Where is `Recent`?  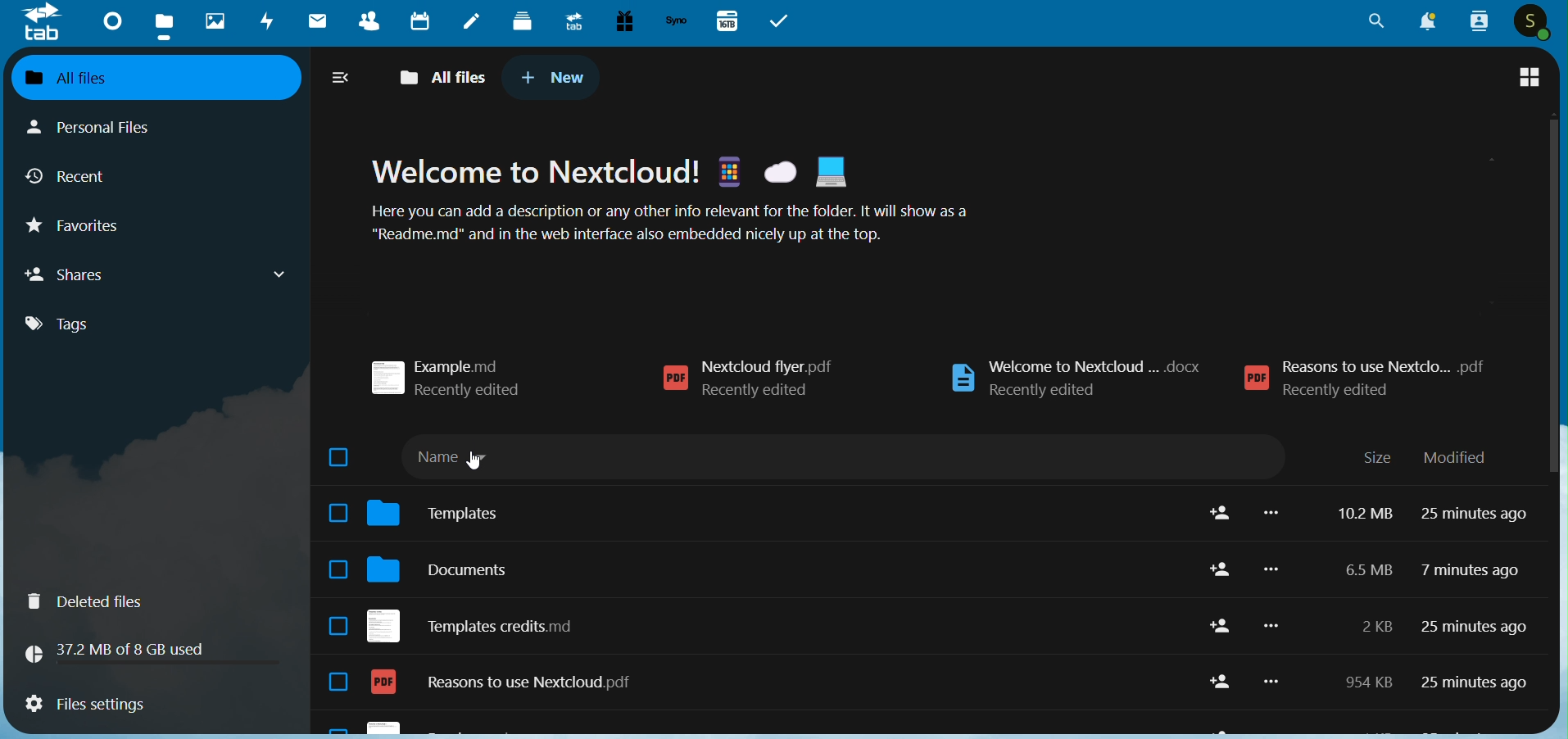
Recent is located at coordinates (125, 177).